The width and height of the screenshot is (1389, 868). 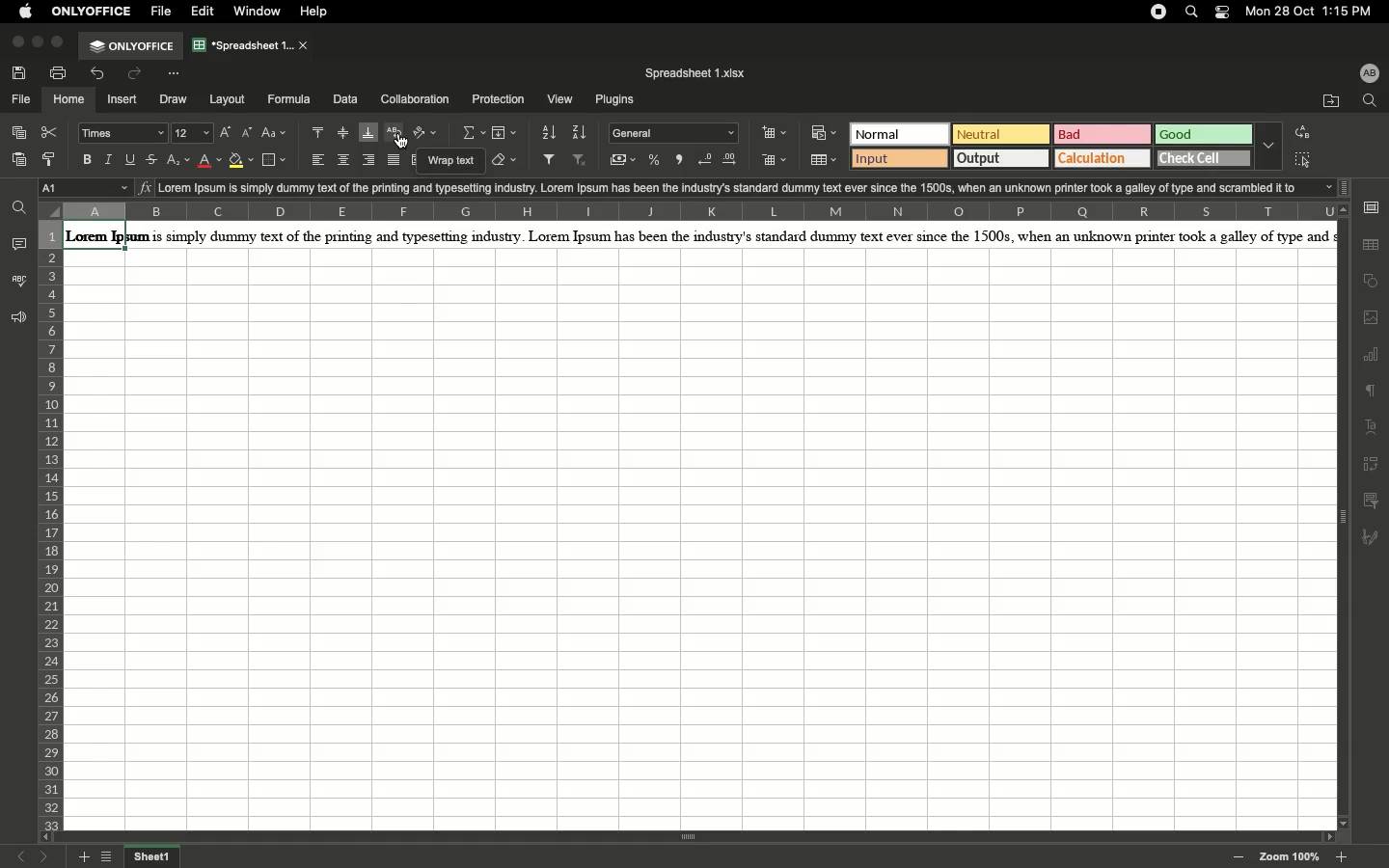 I want to click on Decrease decimal, so click(x=707, y=160).